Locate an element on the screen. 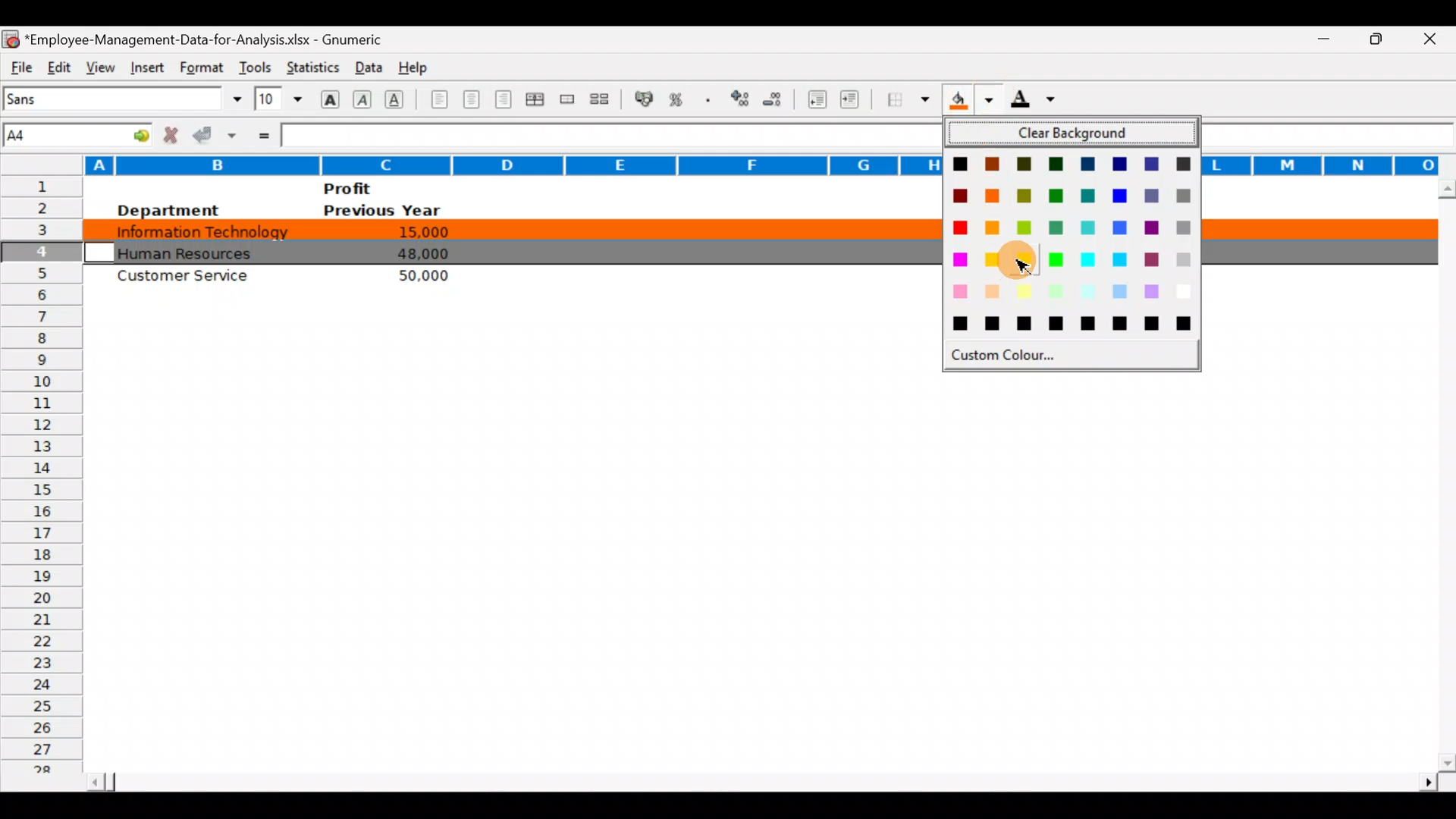 The height and width of the screenshot is (819, 1456). Clear background is located at coordinates (1073, 134).